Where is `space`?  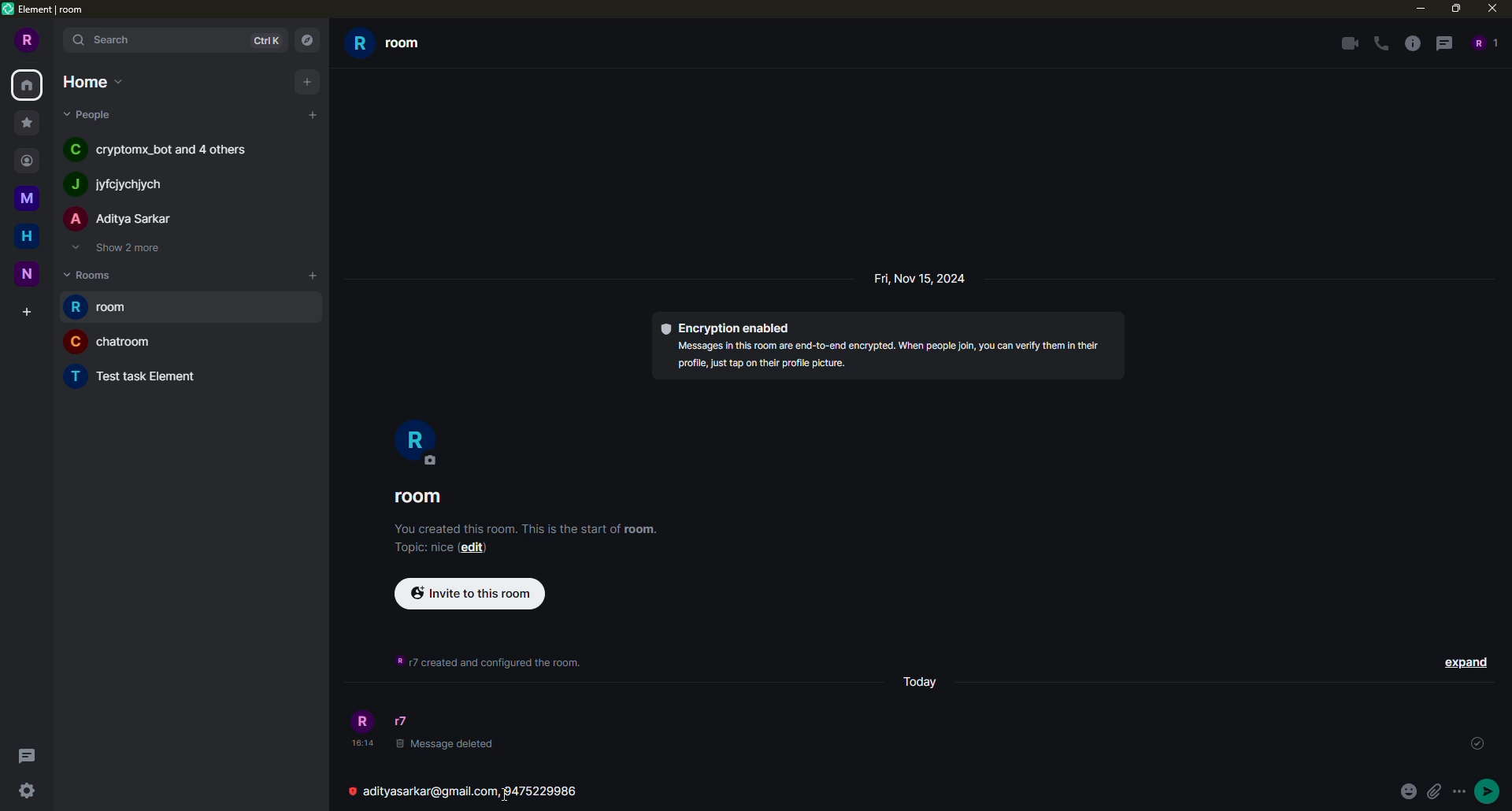
space is located at coordinates (30, 275).